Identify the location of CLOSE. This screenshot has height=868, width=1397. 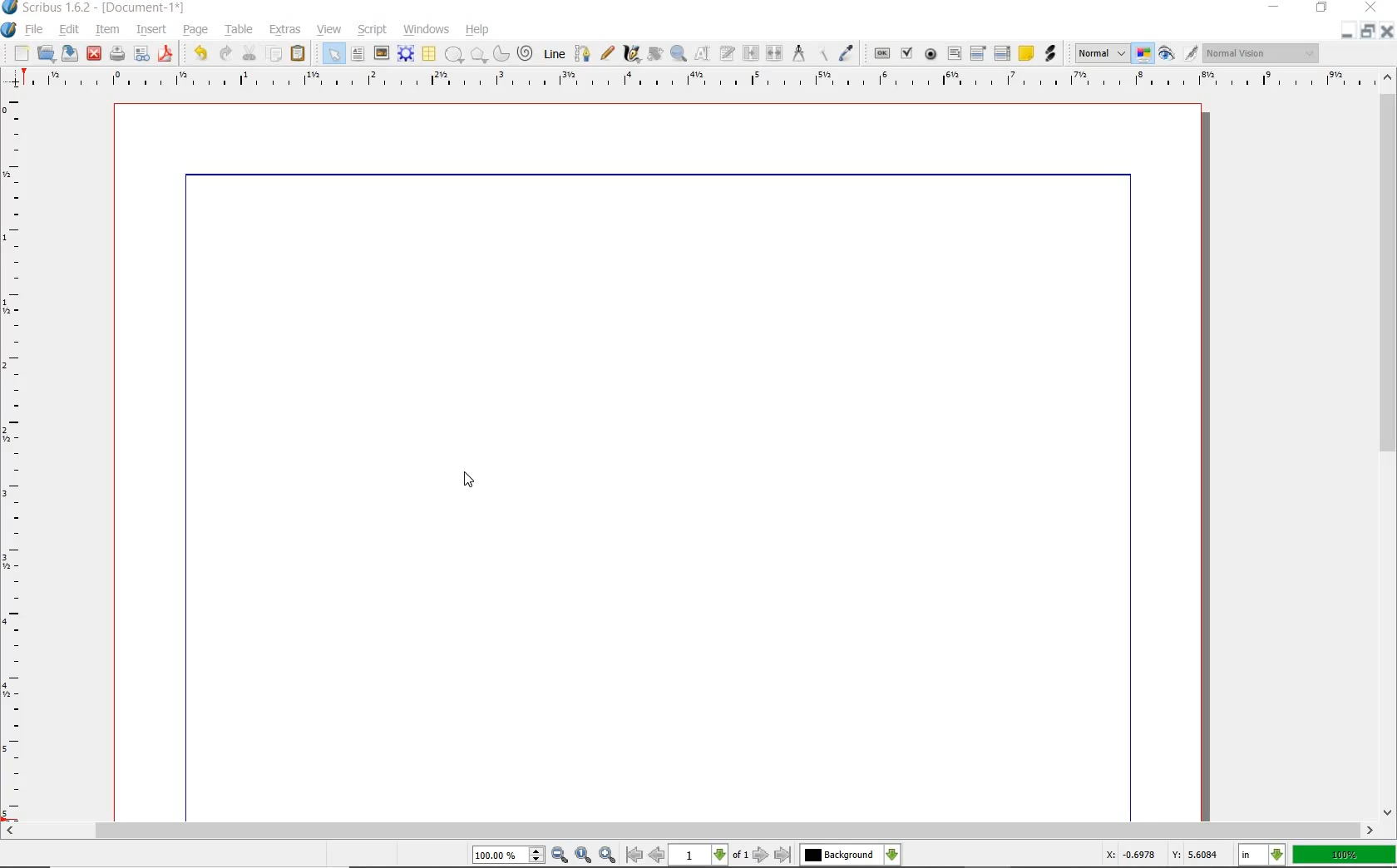
(1387, 32).